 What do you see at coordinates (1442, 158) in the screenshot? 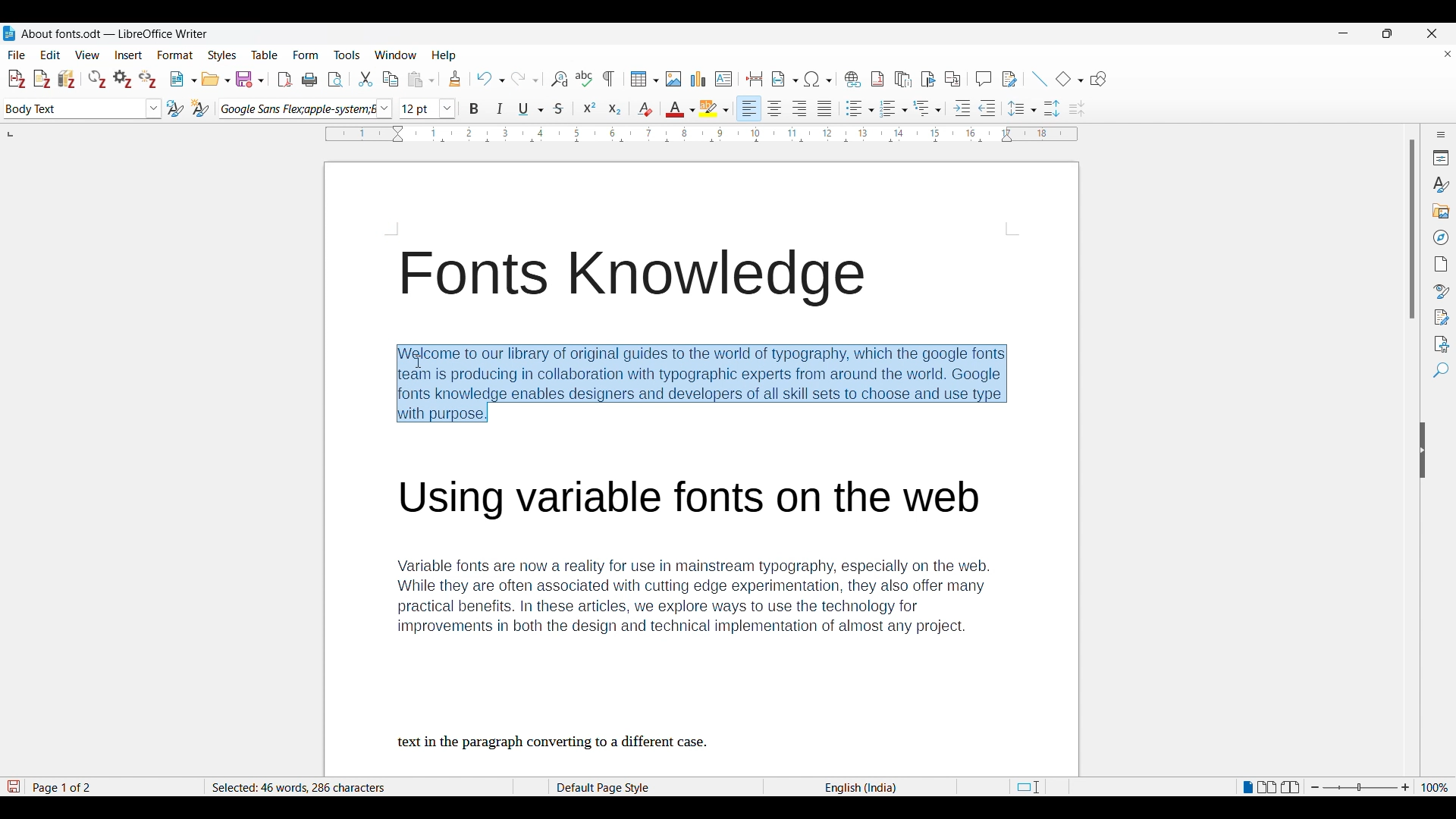
I see `Properties` at bounding box center [1442, 158].